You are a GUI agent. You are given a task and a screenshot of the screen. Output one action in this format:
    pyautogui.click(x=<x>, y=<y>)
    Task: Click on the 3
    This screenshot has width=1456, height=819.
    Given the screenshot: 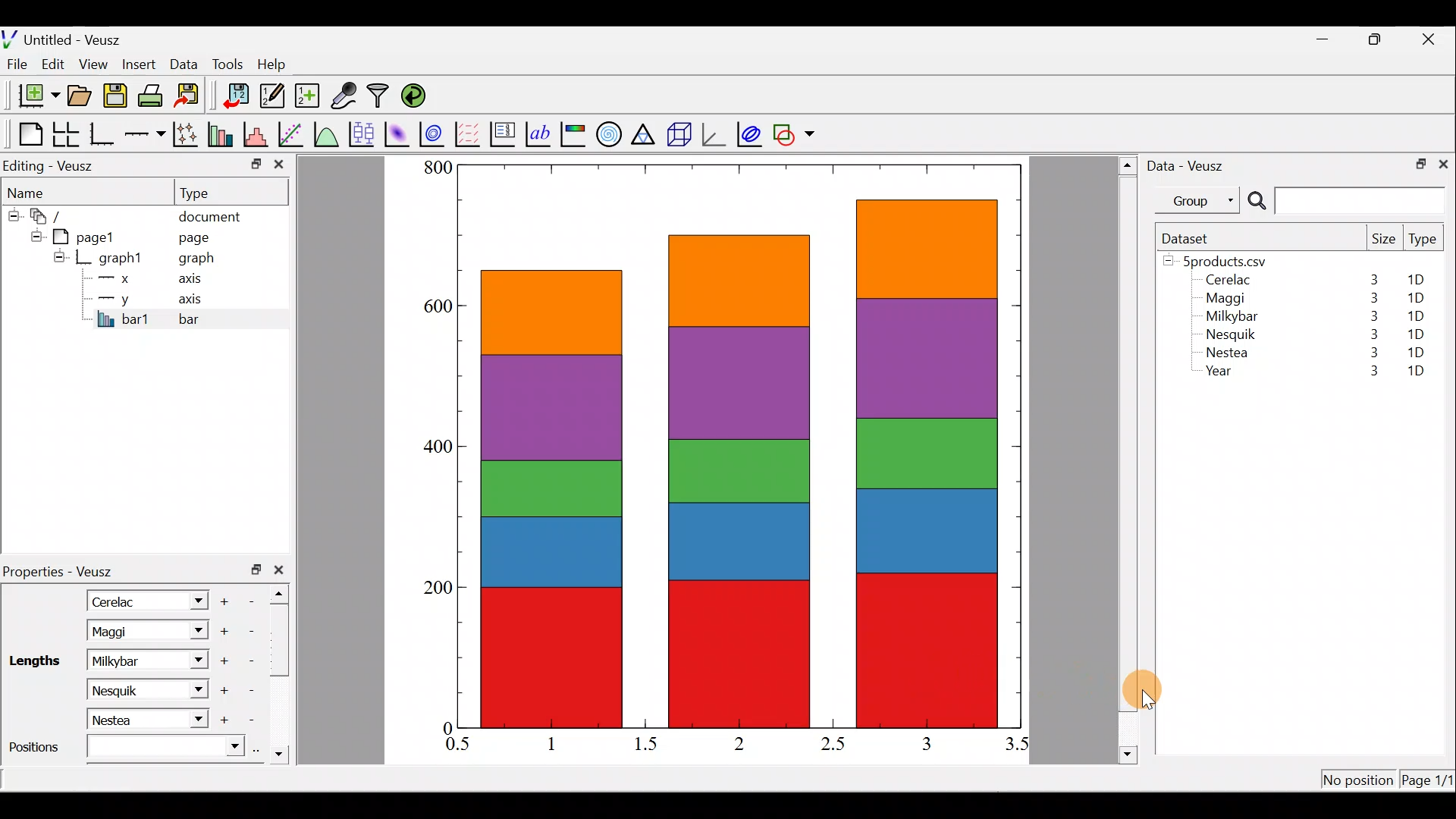 What is the action you would take?
    pyautogui.click(x=925, y=743)
    